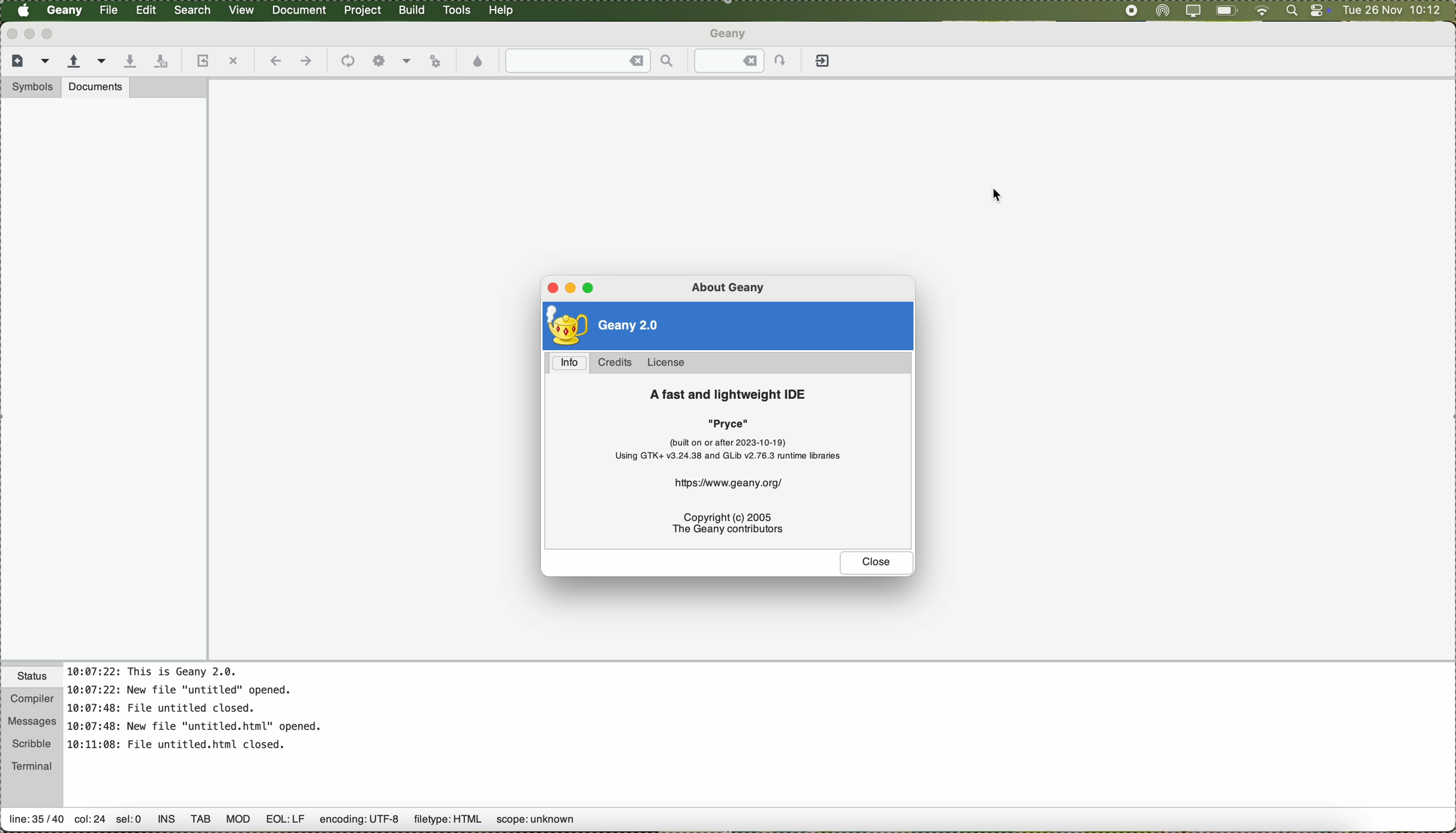 This screenshot has width=1456, height=833. Describe the element at coordinates (876, 564) in the screenshot. I see `close button` at that location.